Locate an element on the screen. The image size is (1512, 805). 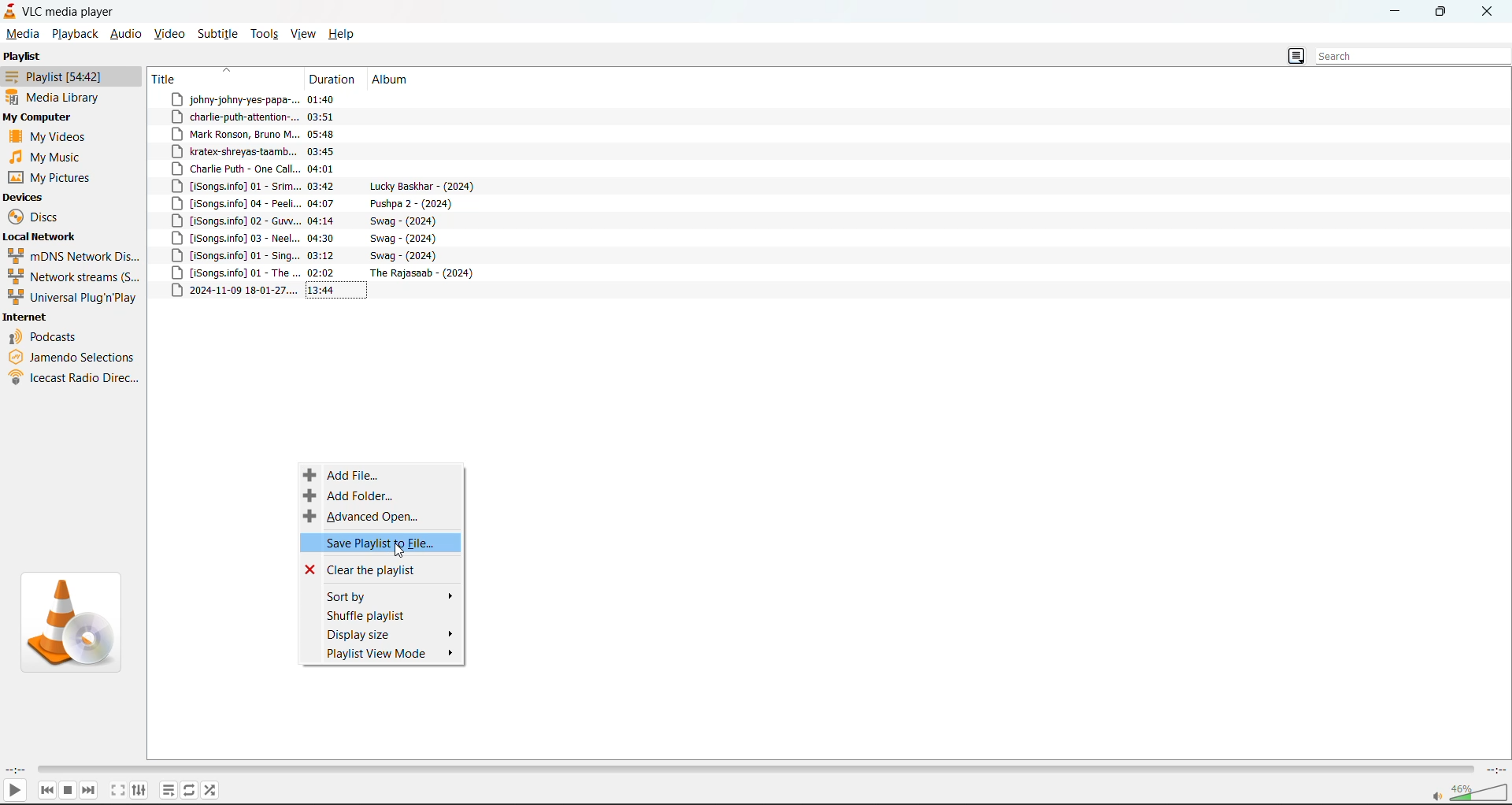
devices is located at coordinates (28, 198).